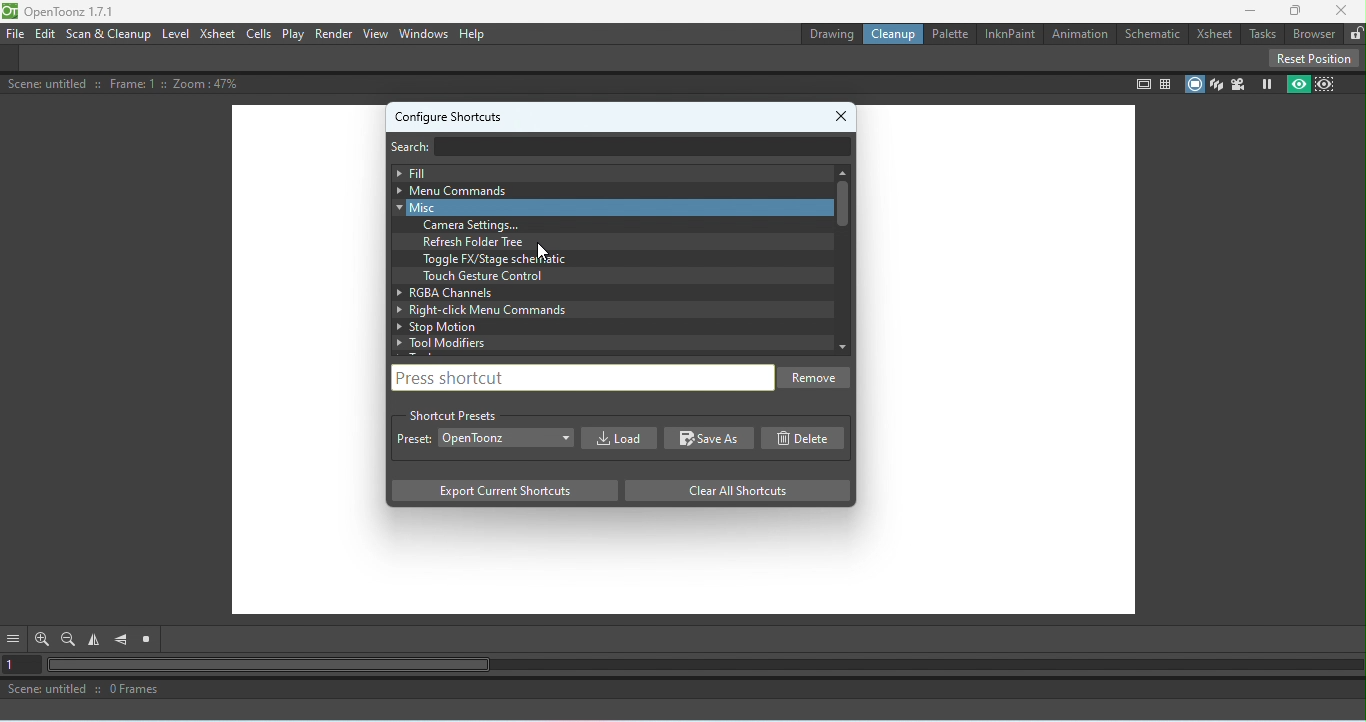  Describe the element at coordinates (261, 32) in the screenshot. I see `Cells` at that location.